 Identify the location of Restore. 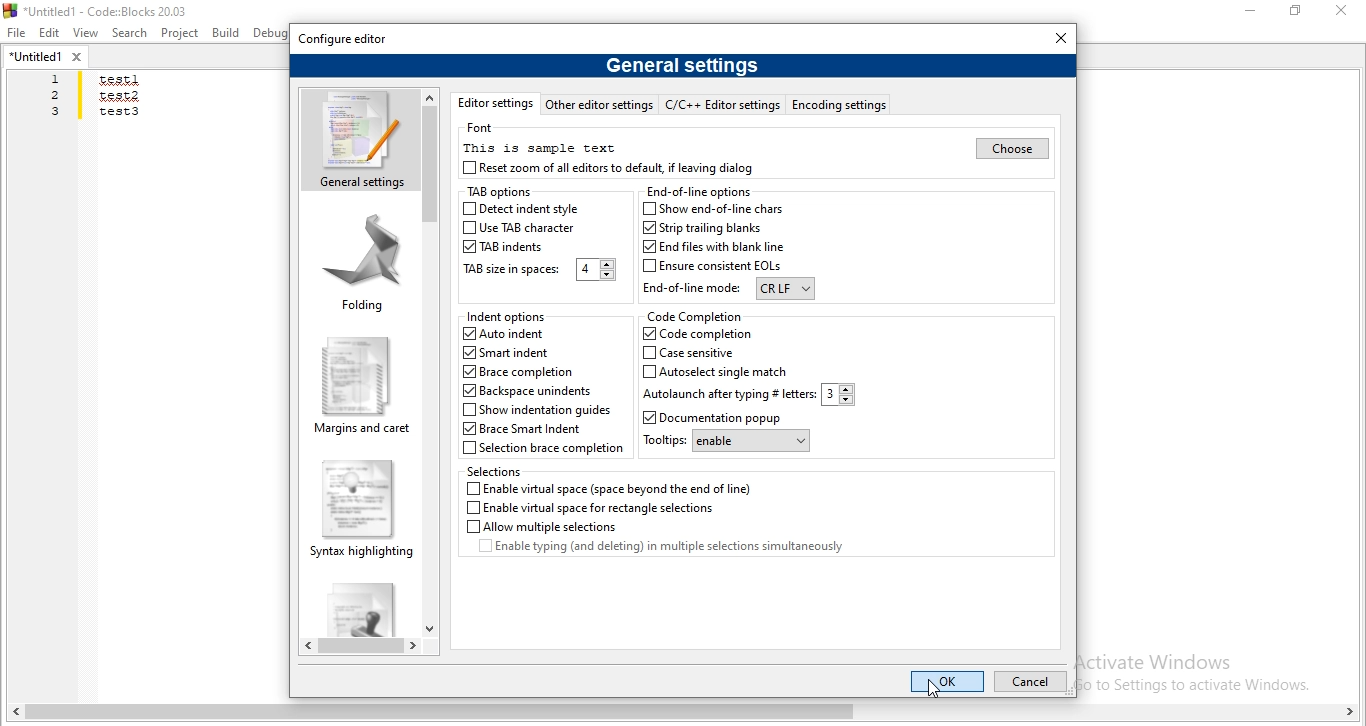
(1297, 10).